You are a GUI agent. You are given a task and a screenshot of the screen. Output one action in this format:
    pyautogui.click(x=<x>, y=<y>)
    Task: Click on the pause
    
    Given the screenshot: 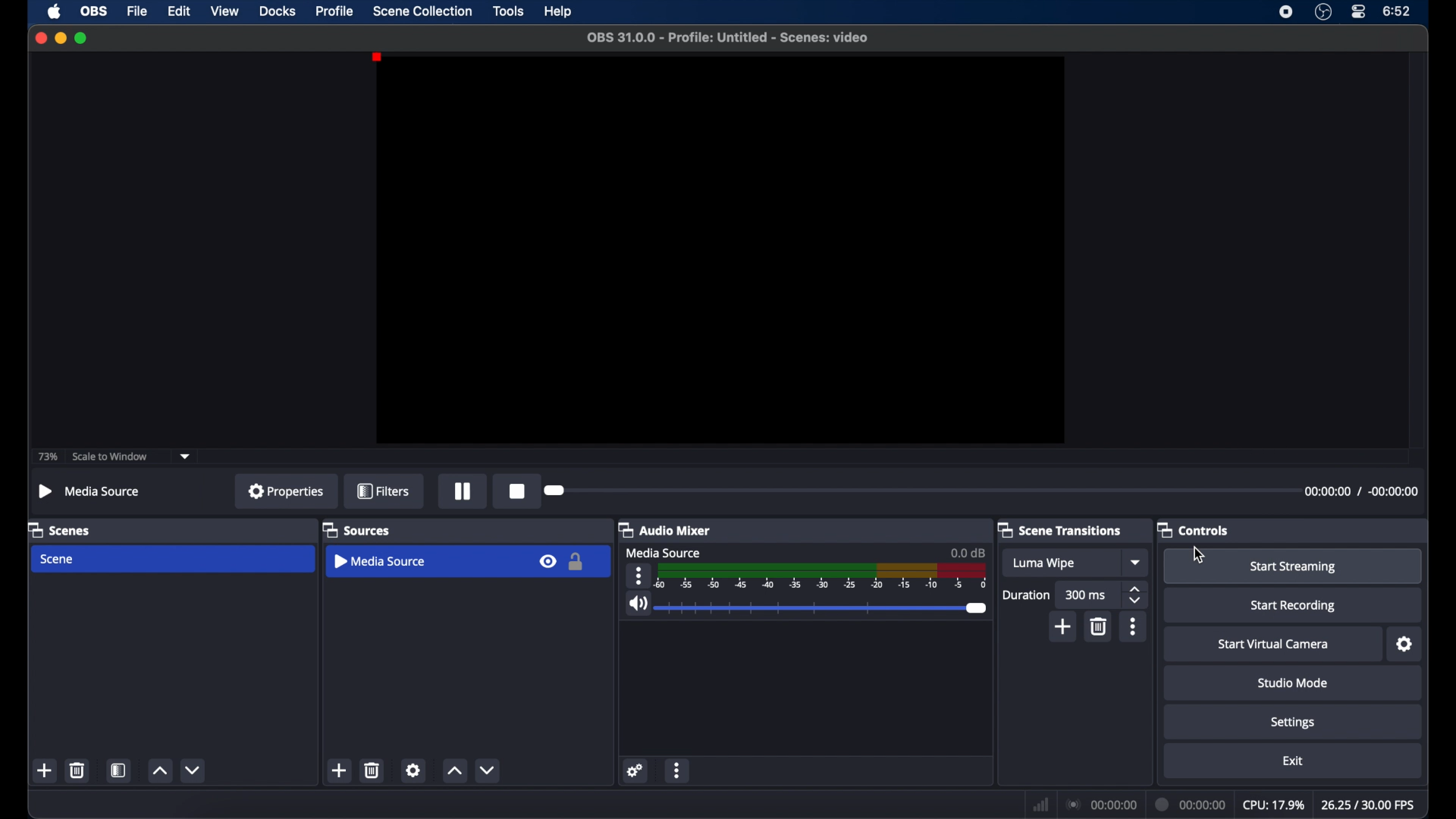 What is the action you would take?
    pyautogui.click(x=463, y=493)
    